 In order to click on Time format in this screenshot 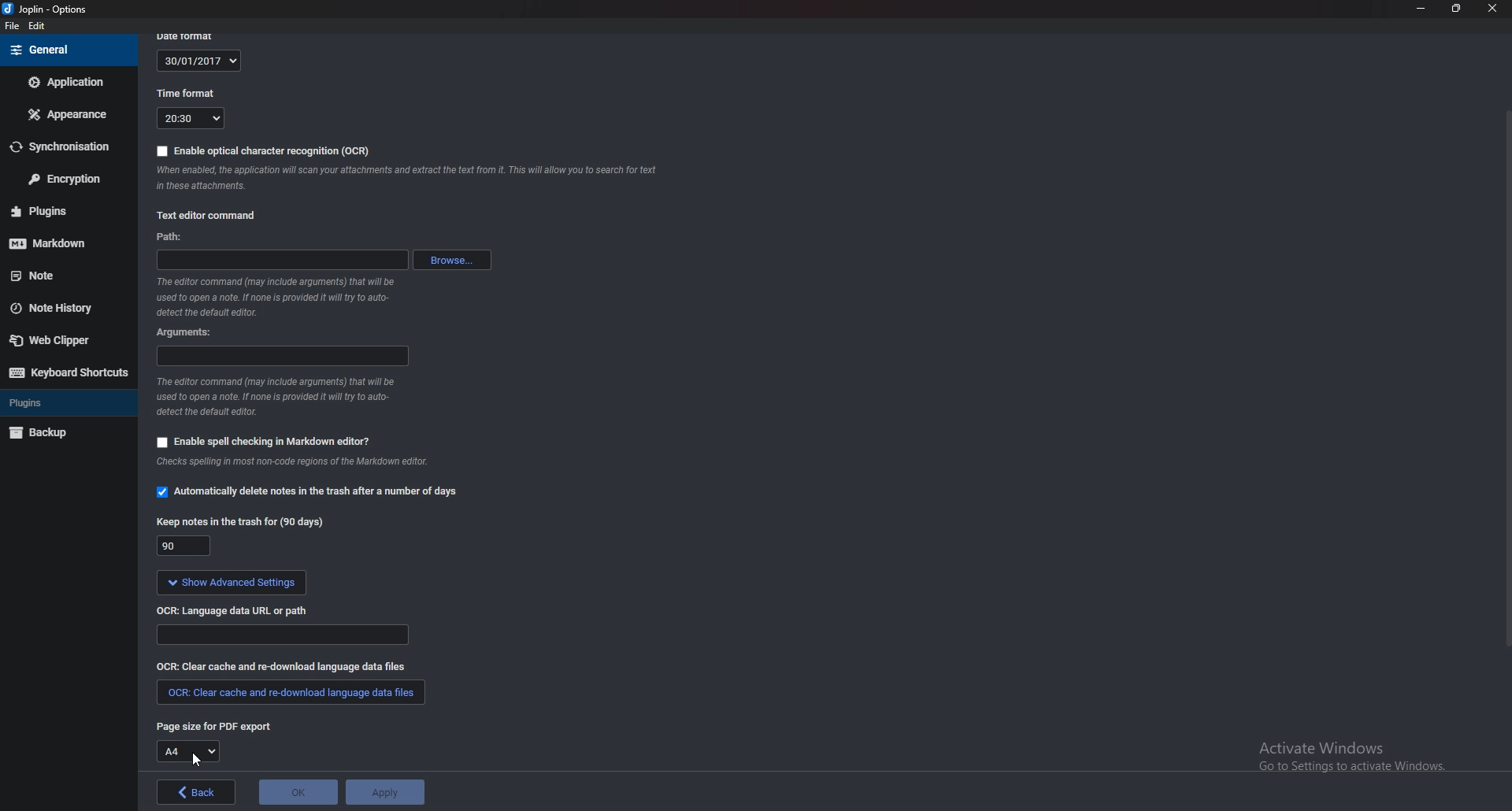, I will do `click(187, 91)`.